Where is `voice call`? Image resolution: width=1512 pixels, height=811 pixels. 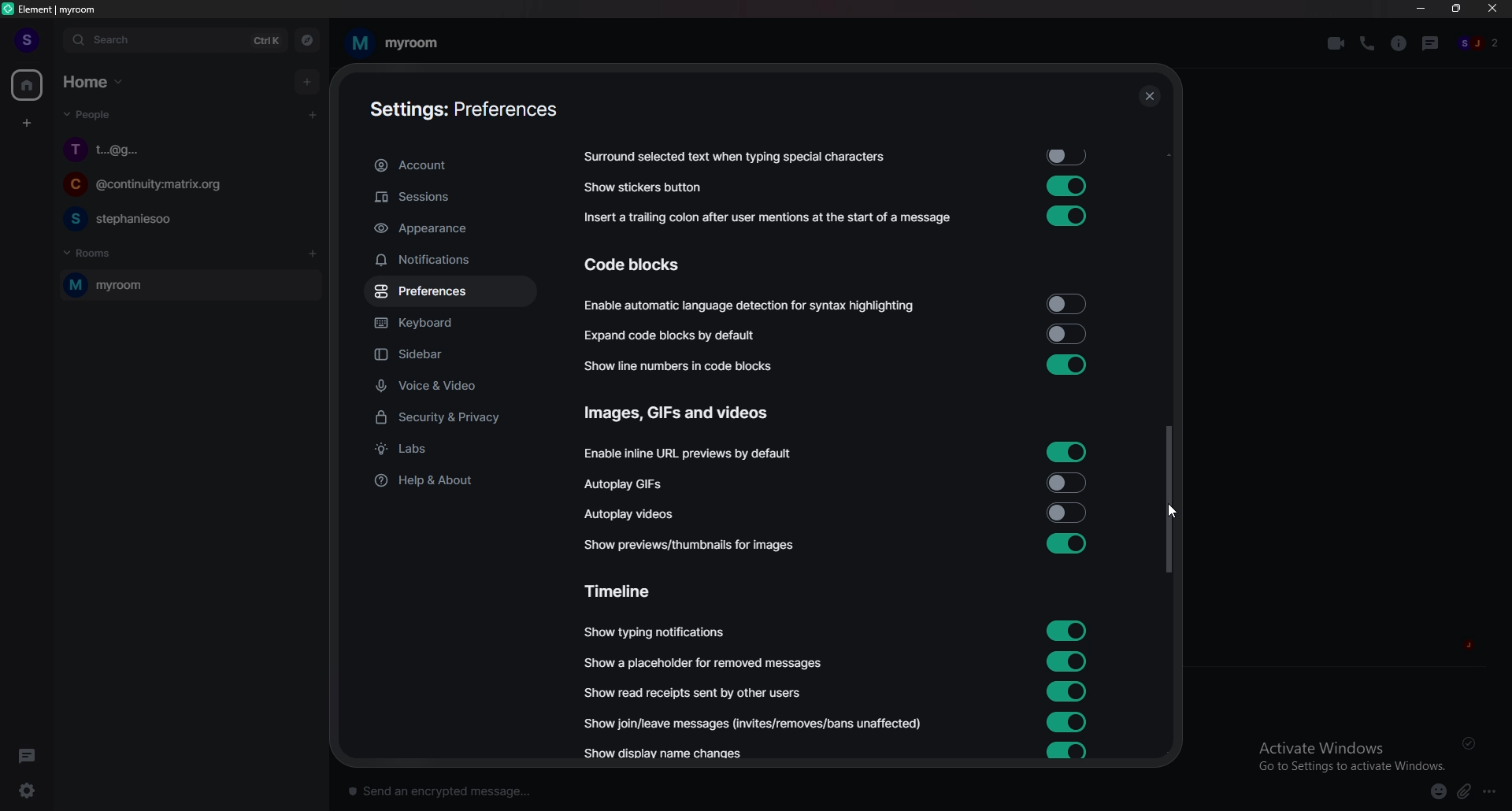 voice call is located at coordinates (1367, 43).